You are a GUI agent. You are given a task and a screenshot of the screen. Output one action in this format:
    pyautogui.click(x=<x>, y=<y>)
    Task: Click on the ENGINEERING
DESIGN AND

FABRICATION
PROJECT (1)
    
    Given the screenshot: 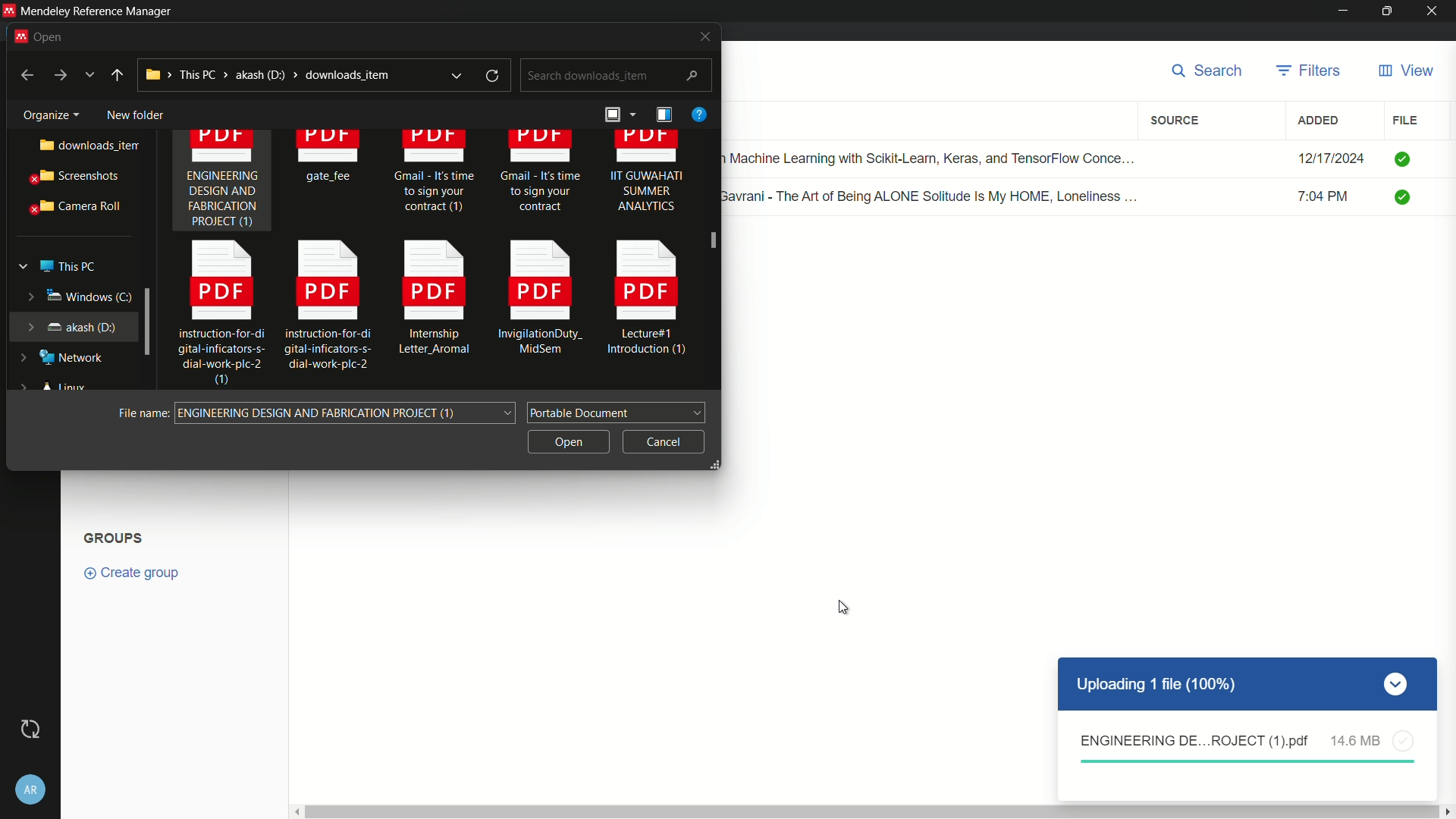 What is the action you would take?
    pyautogui.click(x=222, y=183)
    